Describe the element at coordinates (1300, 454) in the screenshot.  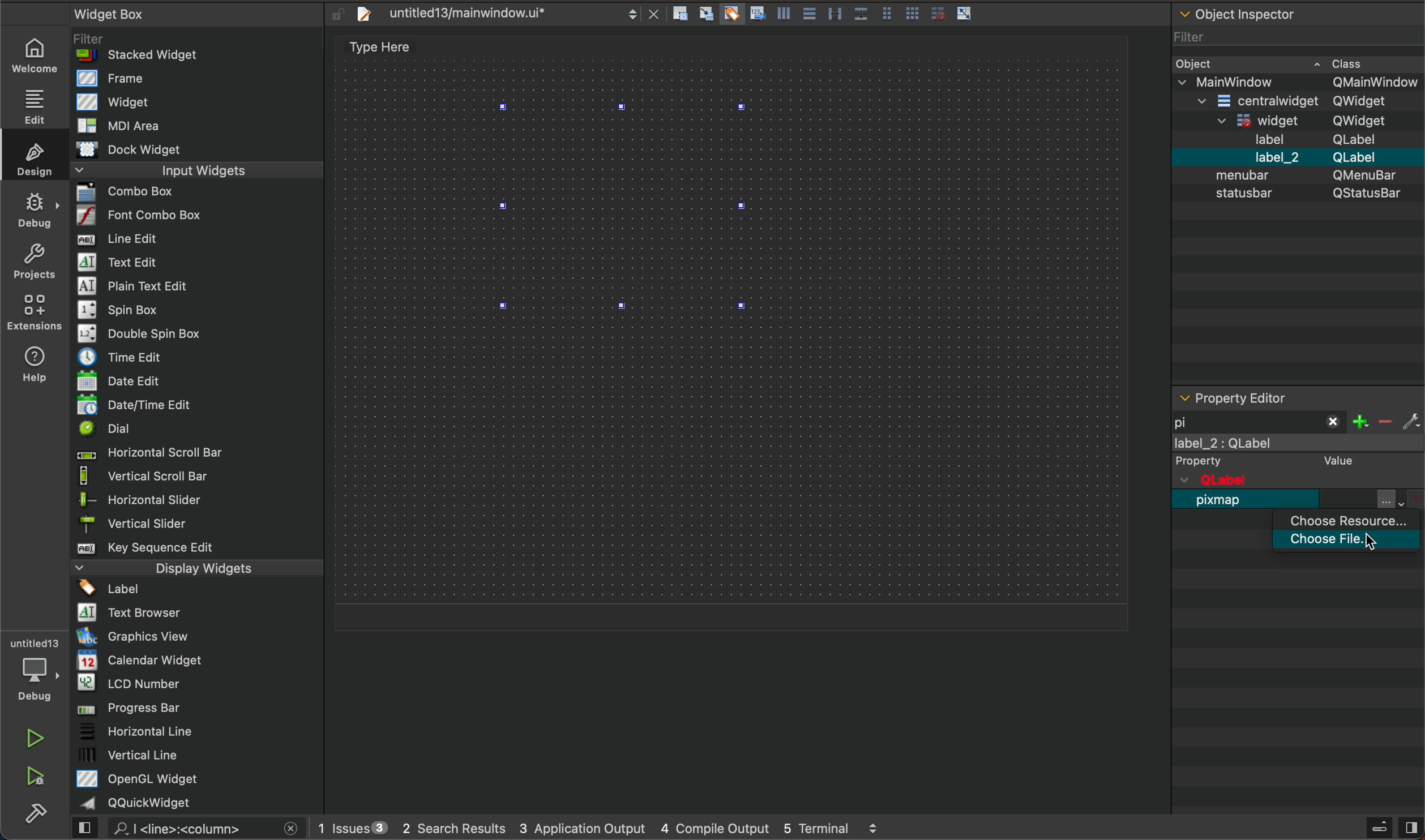
I see `label` at that location.